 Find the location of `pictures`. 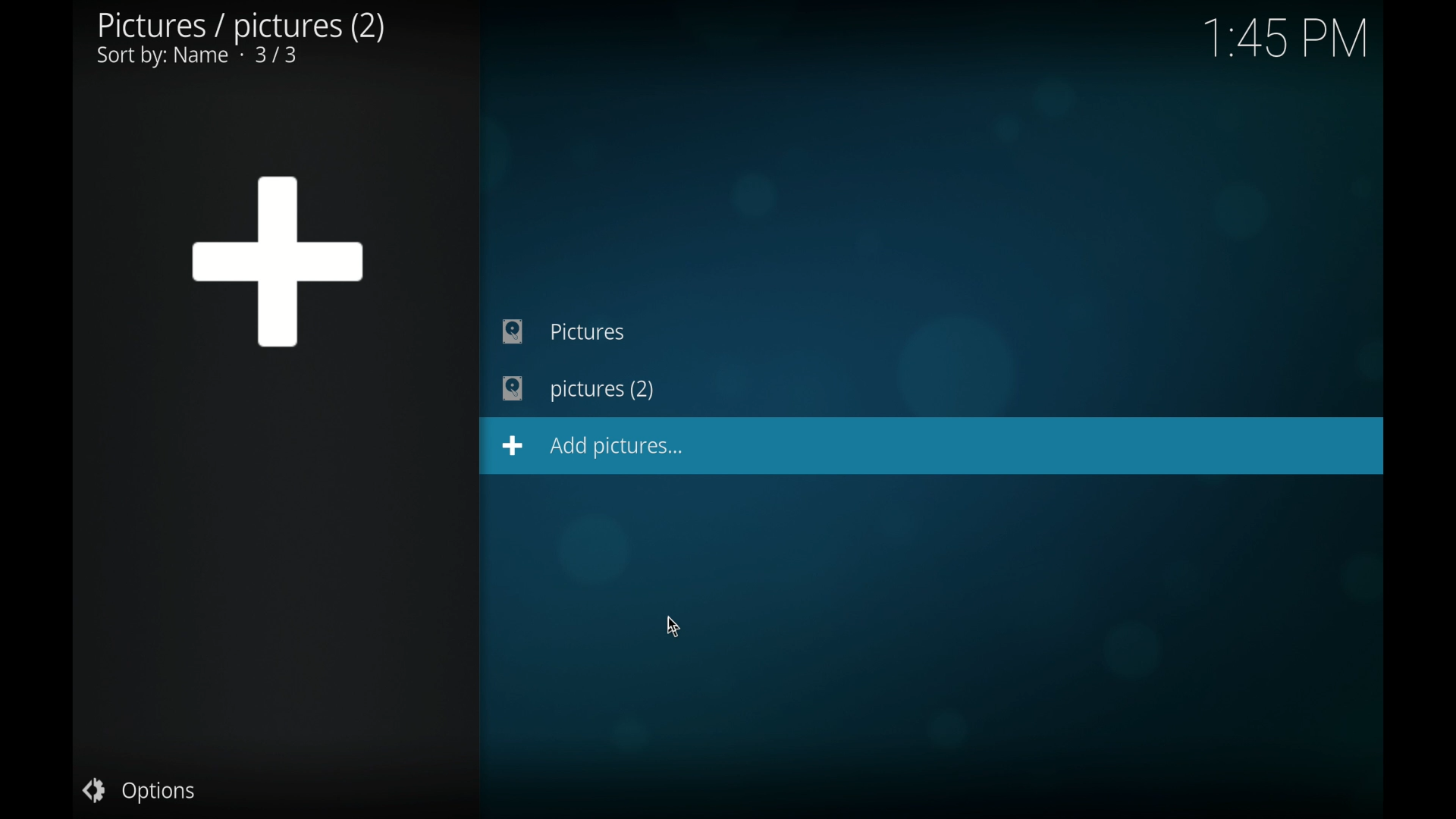

pictures is located at coordinates (581, 388).